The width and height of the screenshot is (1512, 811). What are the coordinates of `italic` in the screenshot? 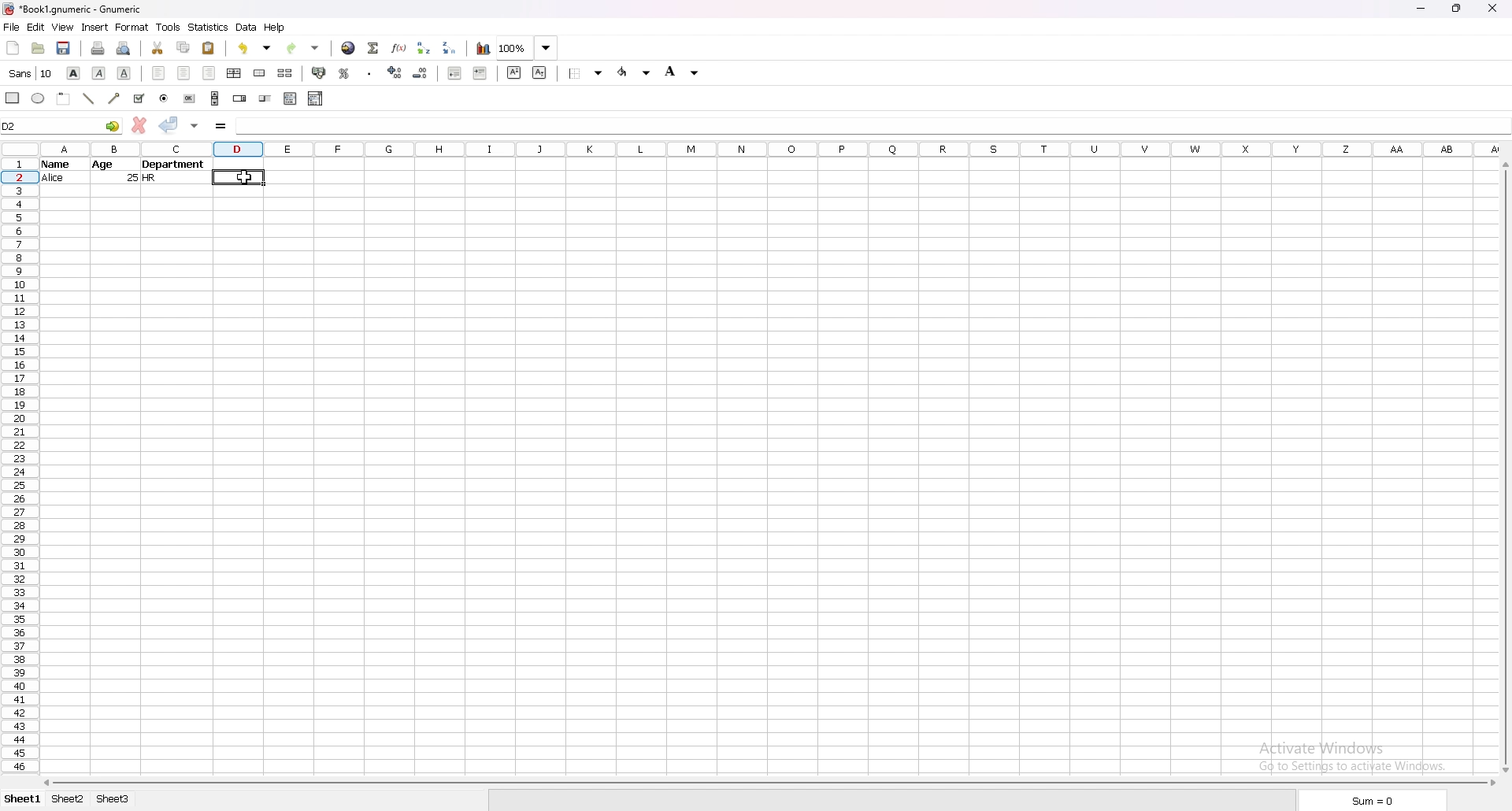 It's located at (99, 73).